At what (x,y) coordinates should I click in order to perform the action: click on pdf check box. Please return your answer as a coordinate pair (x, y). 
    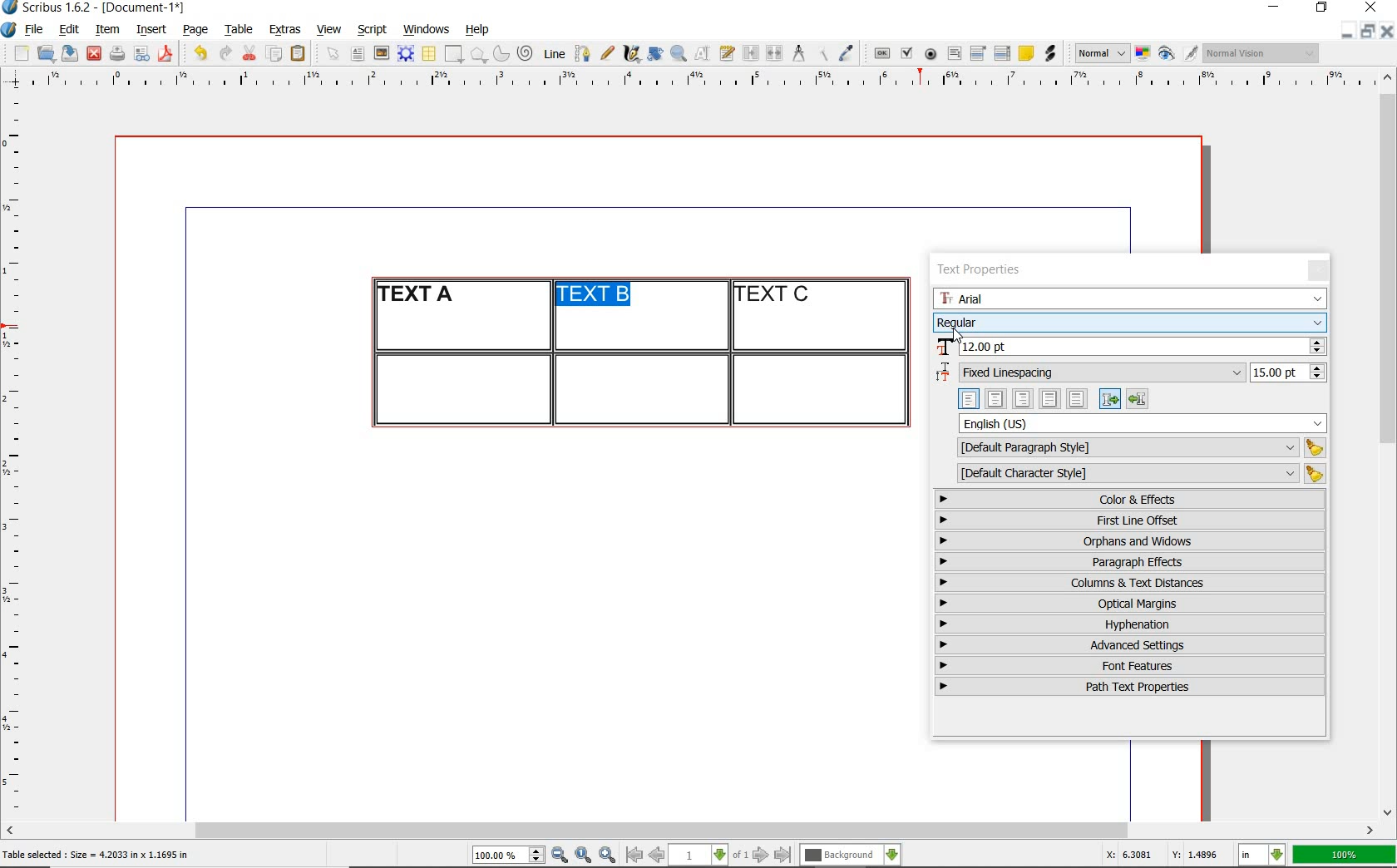
    Looking at the image, I should click on (906, 54).